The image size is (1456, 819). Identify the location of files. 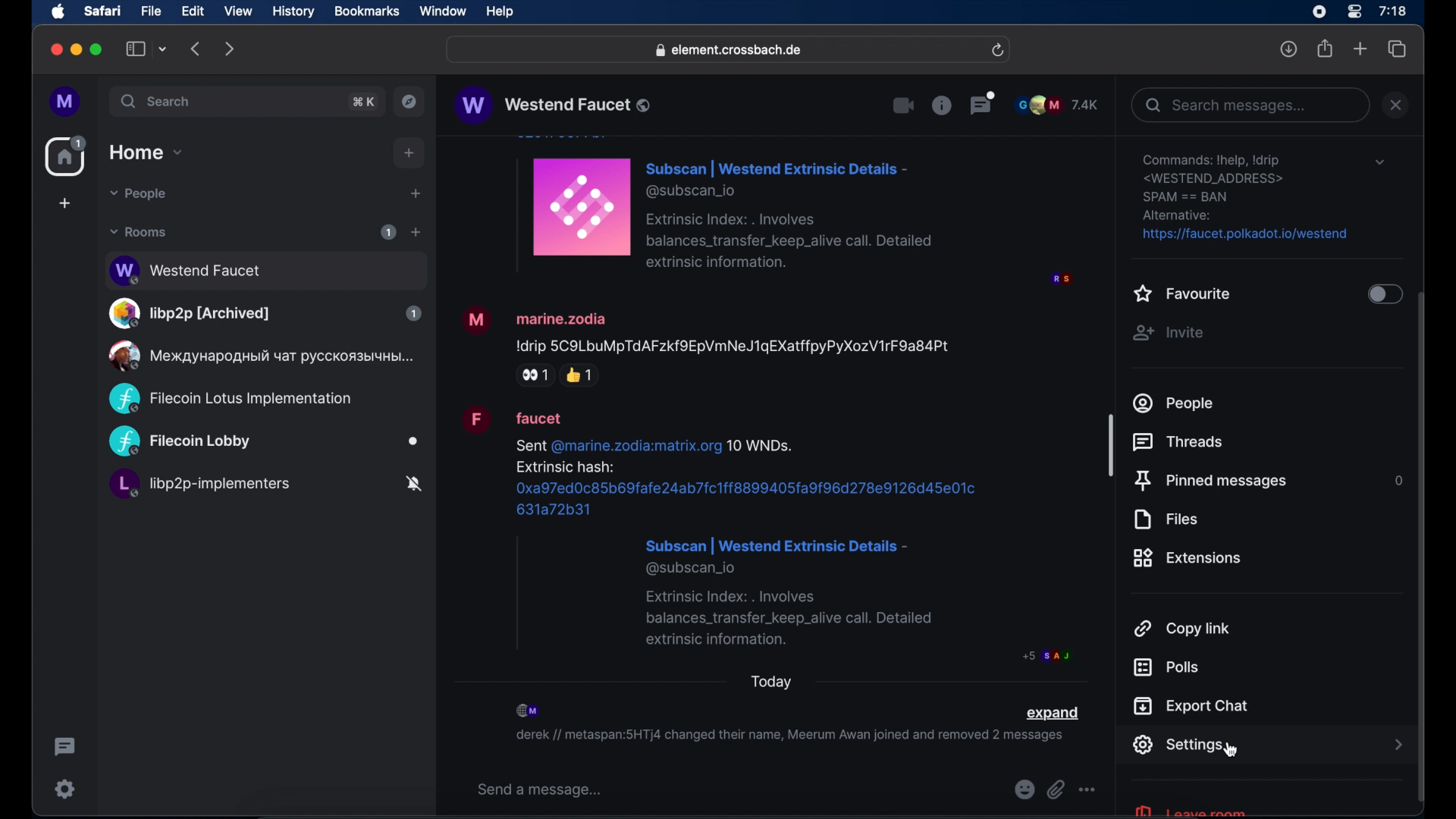
(1165, 519).